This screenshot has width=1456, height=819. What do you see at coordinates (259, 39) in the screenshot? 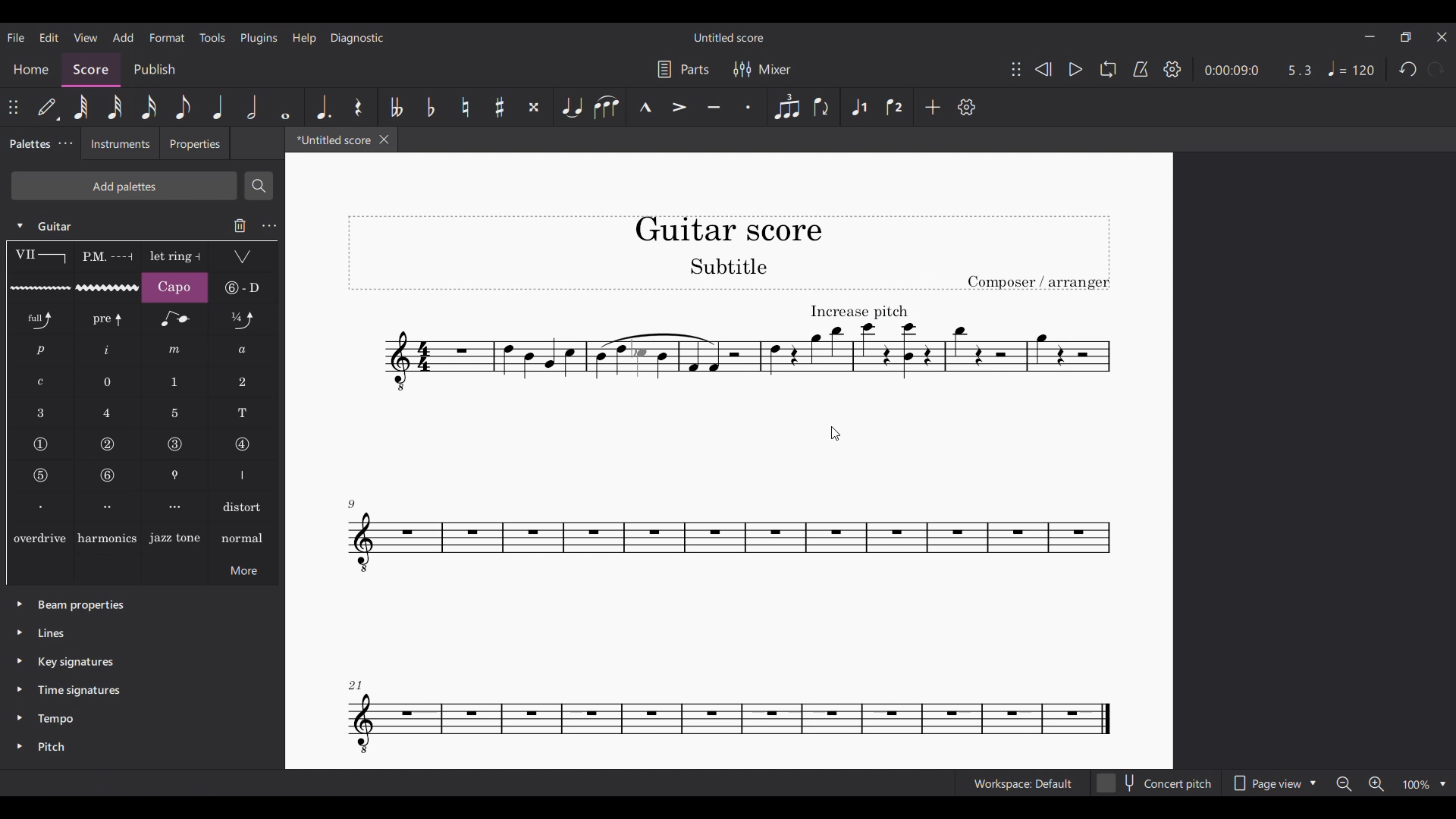
I see `Plugins menu` at bounding box center [259, 39].